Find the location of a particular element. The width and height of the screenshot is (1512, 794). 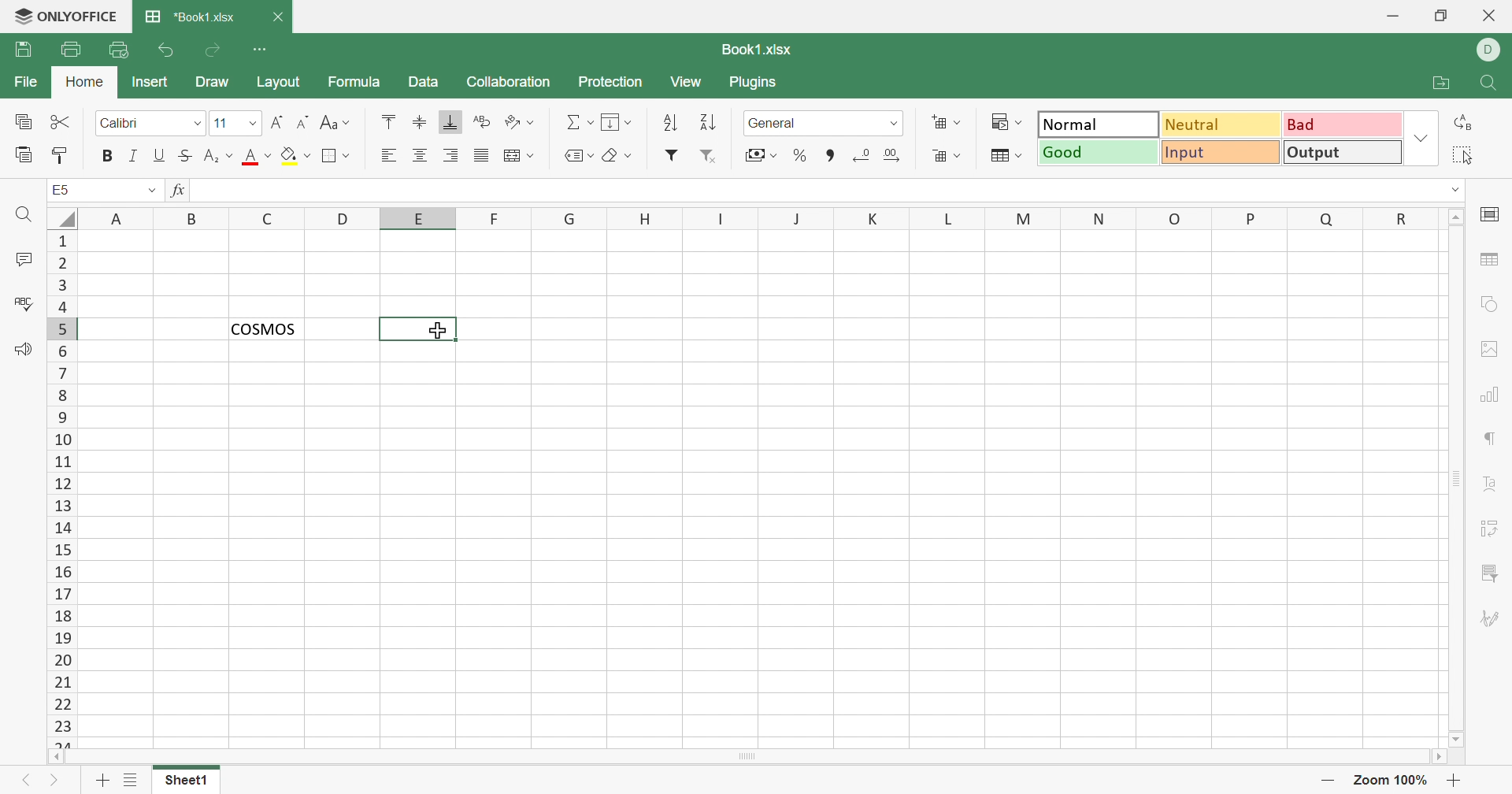

Italic is located at coordinates (133, 156).